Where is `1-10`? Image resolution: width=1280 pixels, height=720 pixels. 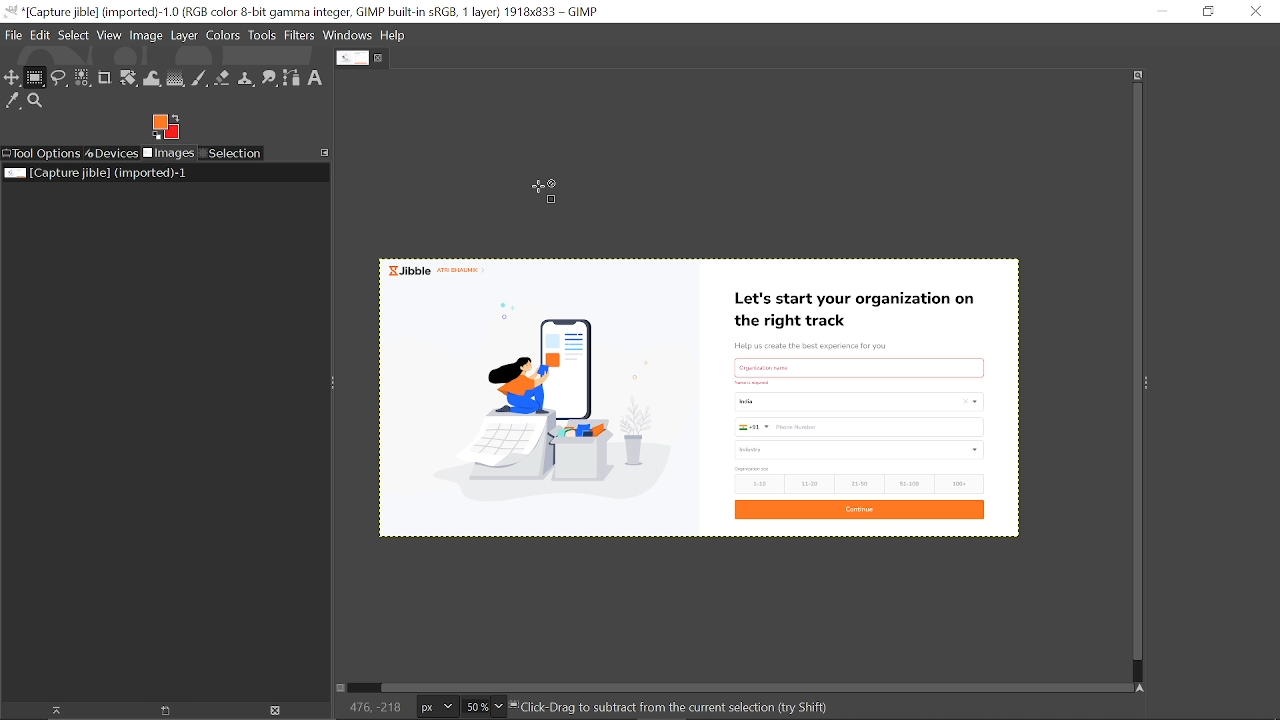 1-10 is located at coordinates (756, 484).